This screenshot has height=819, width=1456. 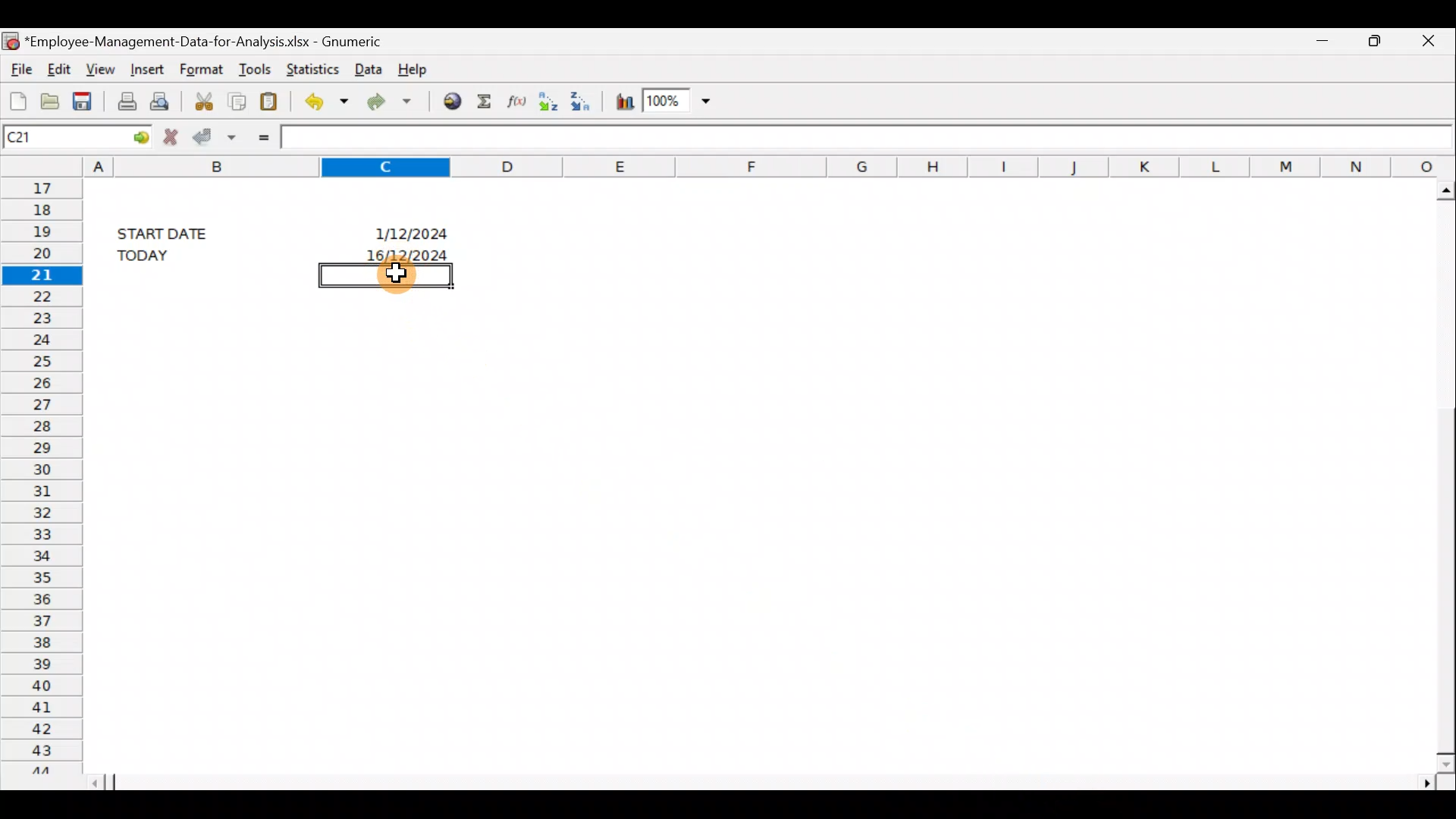 I want to click on Close, so click(x=1425, y=42).